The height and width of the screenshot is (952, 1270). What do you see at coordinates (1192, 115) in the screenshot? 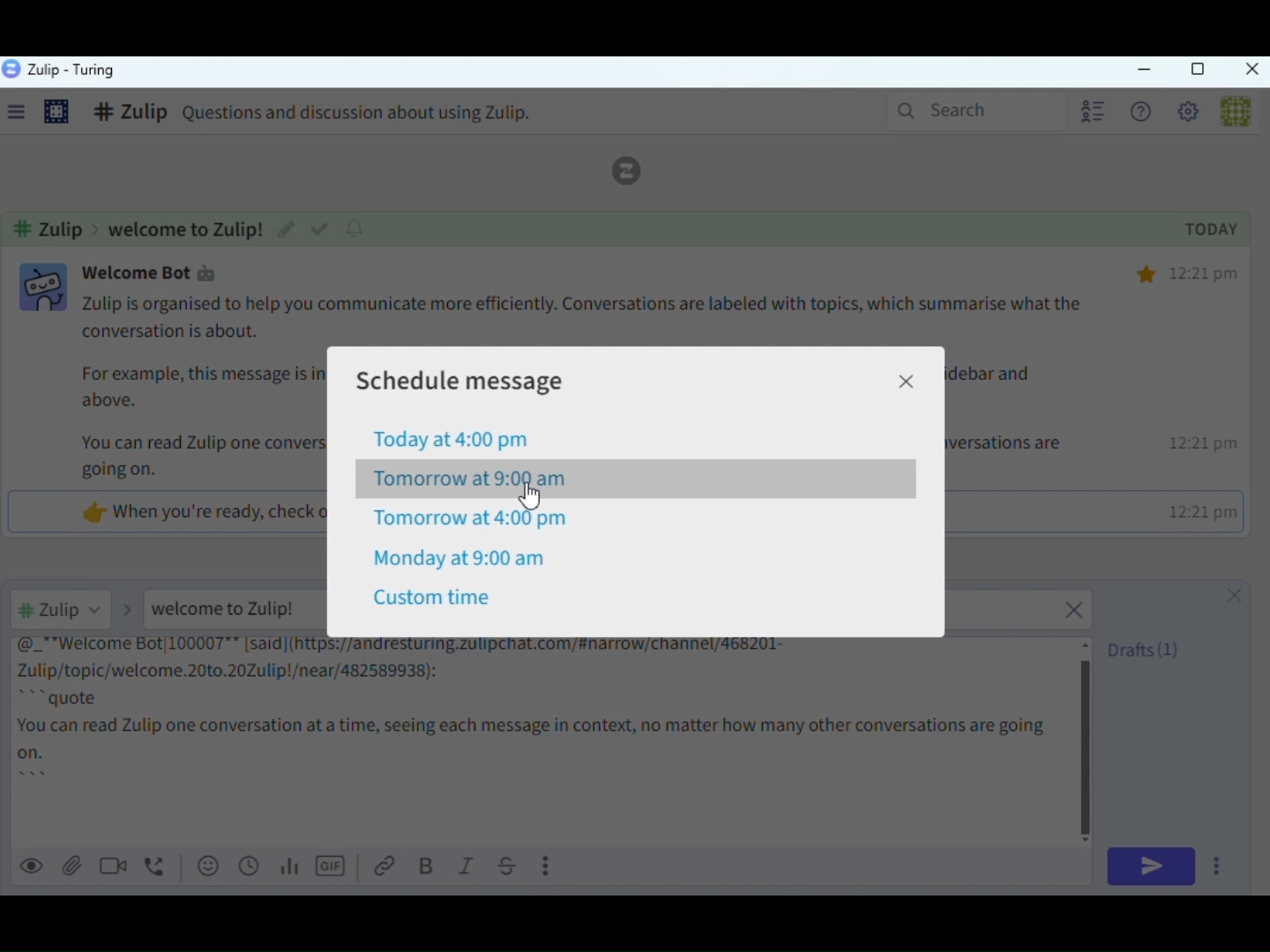
I see `Settings` at bounding box center [1192, 115].